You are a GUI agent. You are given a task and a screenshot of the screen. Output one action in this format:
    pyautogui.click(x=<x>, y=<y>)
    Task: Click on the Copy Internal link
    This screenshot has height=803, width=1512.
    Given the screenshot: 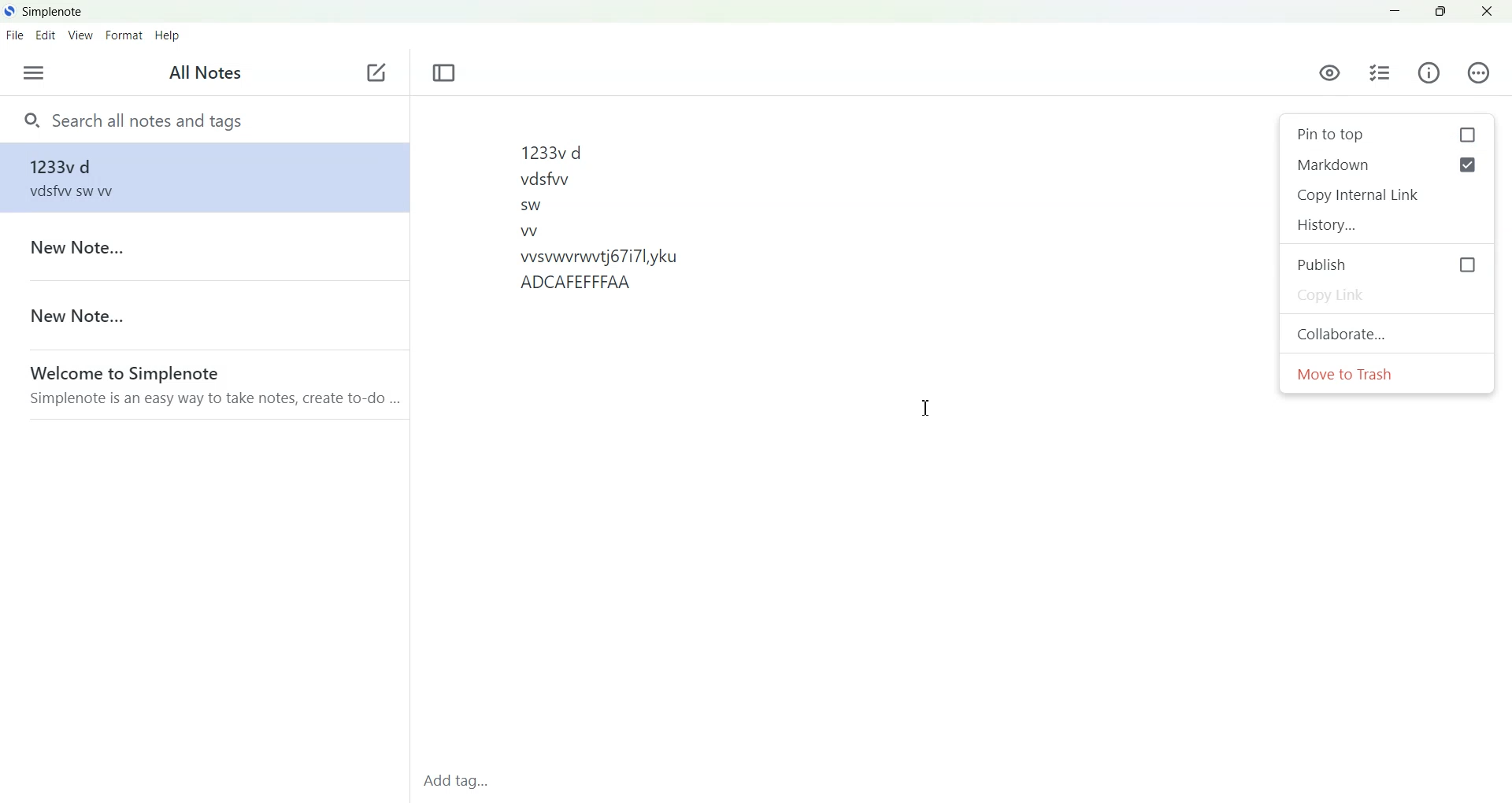 What is the action you would take?
    pyautogui.click(x=1387, y=195)
    